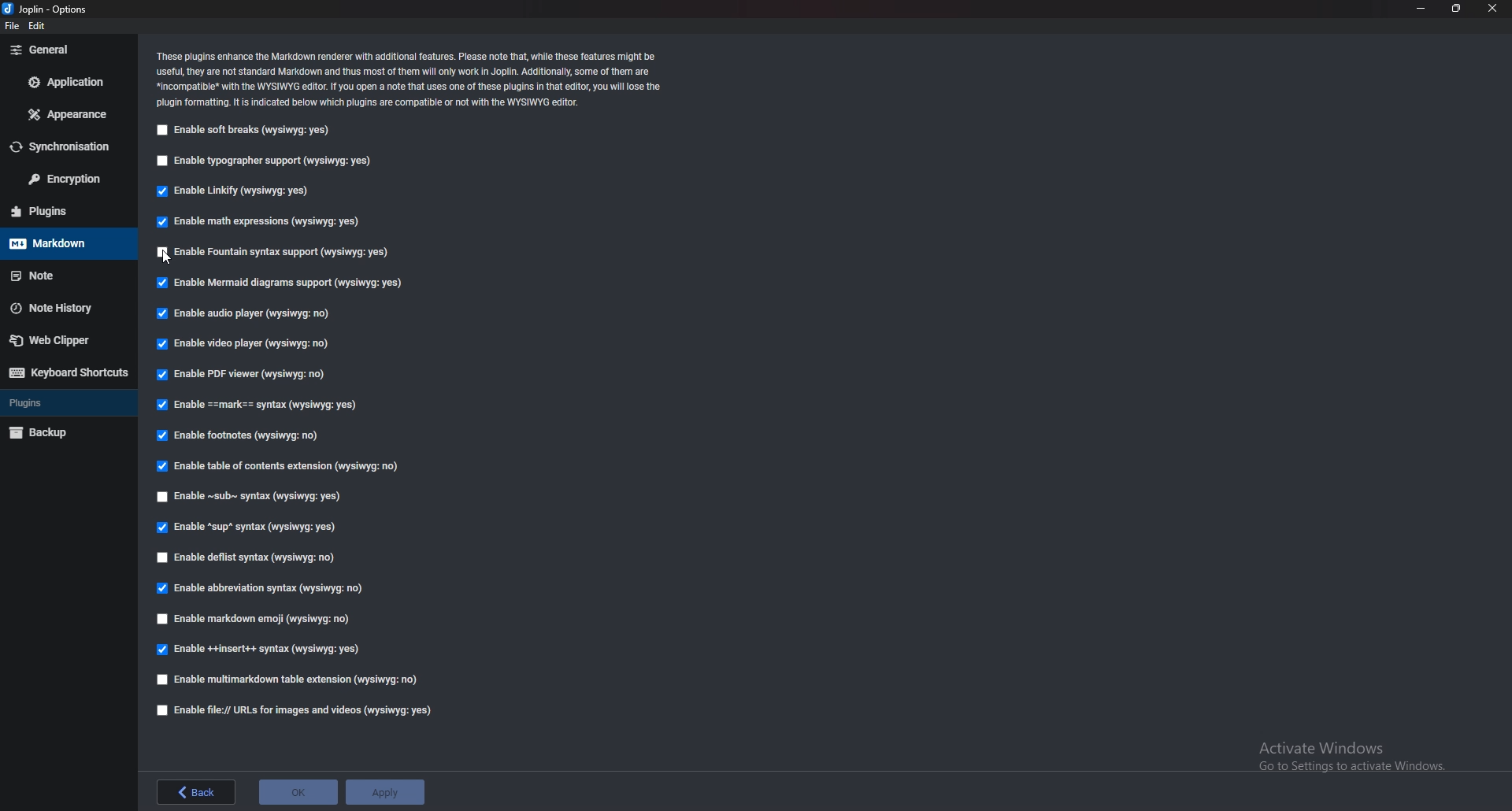 Image resolution: width=1512 pixels, height=811 pixels. I want to click on Enable math expressions, so click(257, 220).